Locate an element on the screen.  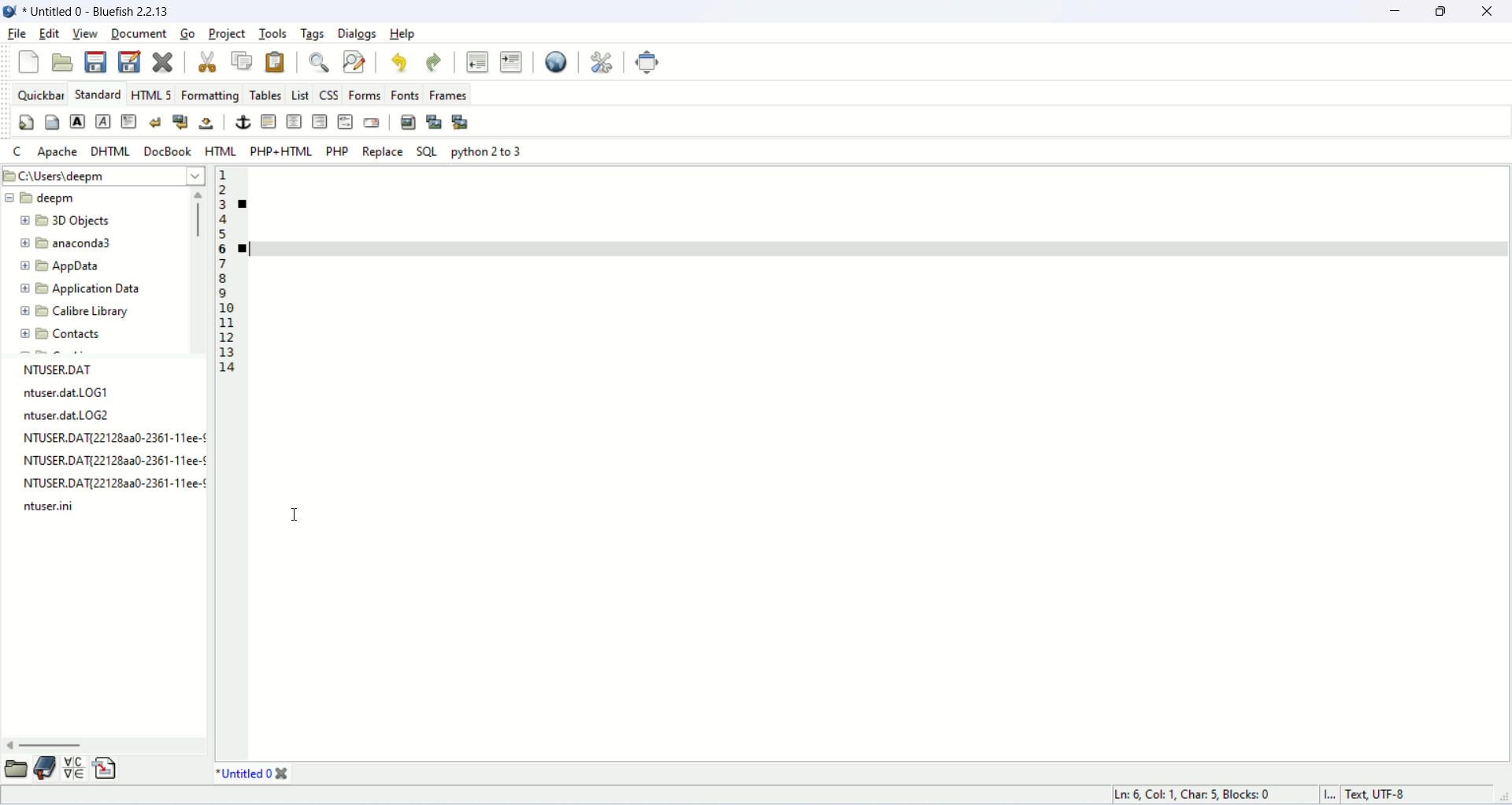
preferences is located at coordinates (603, 63).